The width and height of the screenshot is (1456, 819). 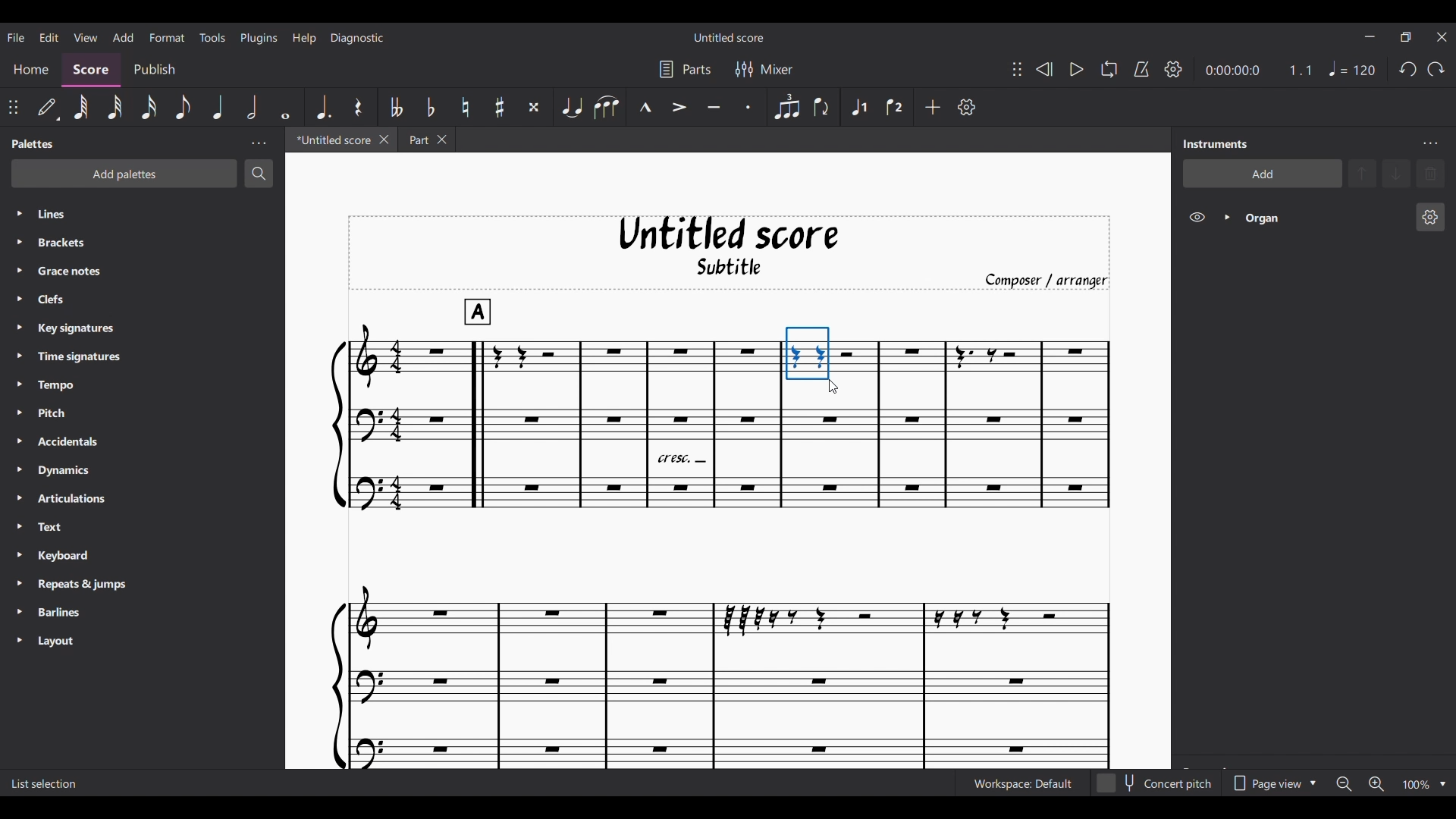 What do you see at coordinates (1351, 68) in the screenshot?
I see `Quarter note` at bounding box center [1351, 68].